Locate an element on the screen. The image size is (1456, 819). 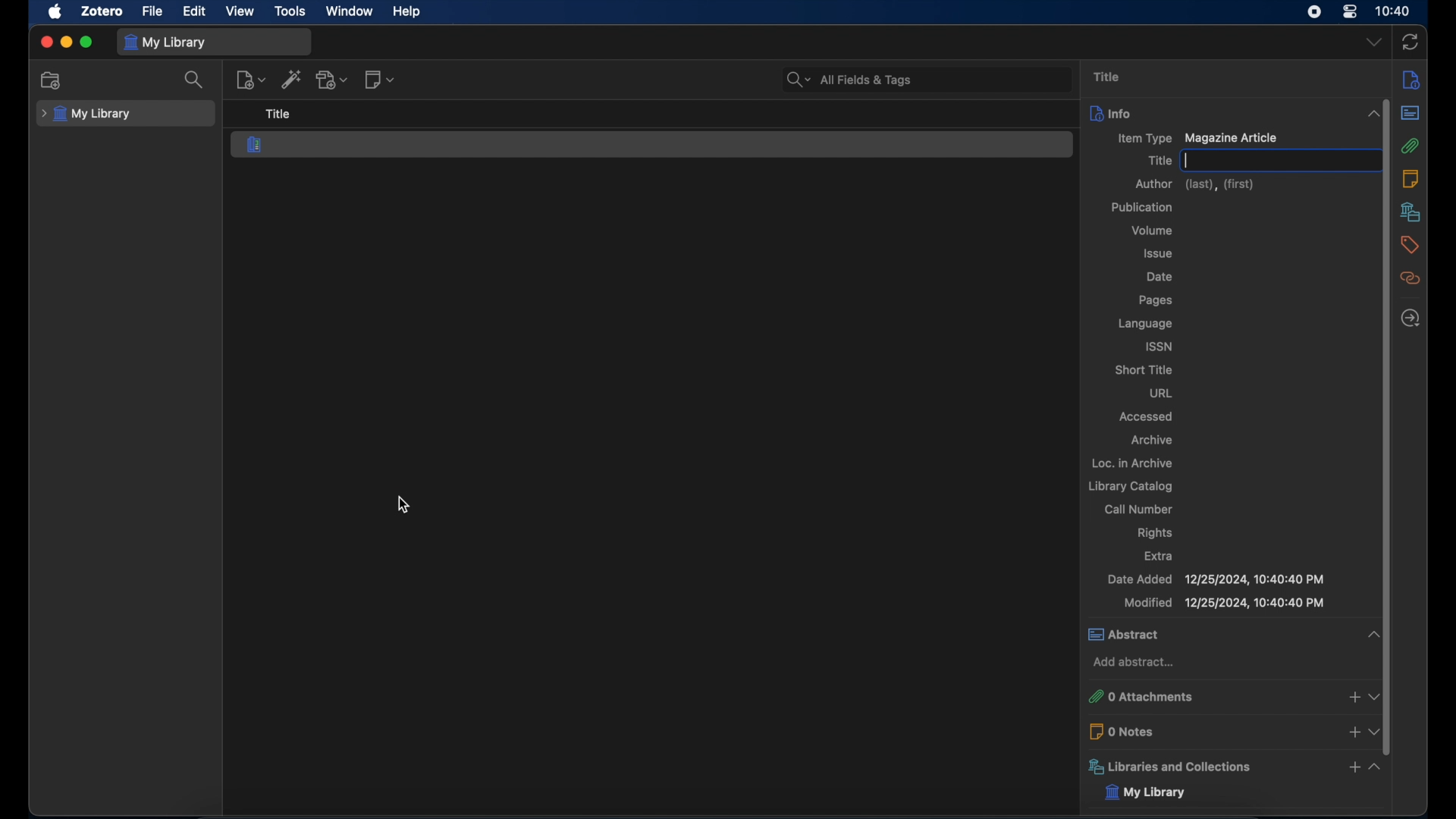
cursor is located at coordinates (407, 504).